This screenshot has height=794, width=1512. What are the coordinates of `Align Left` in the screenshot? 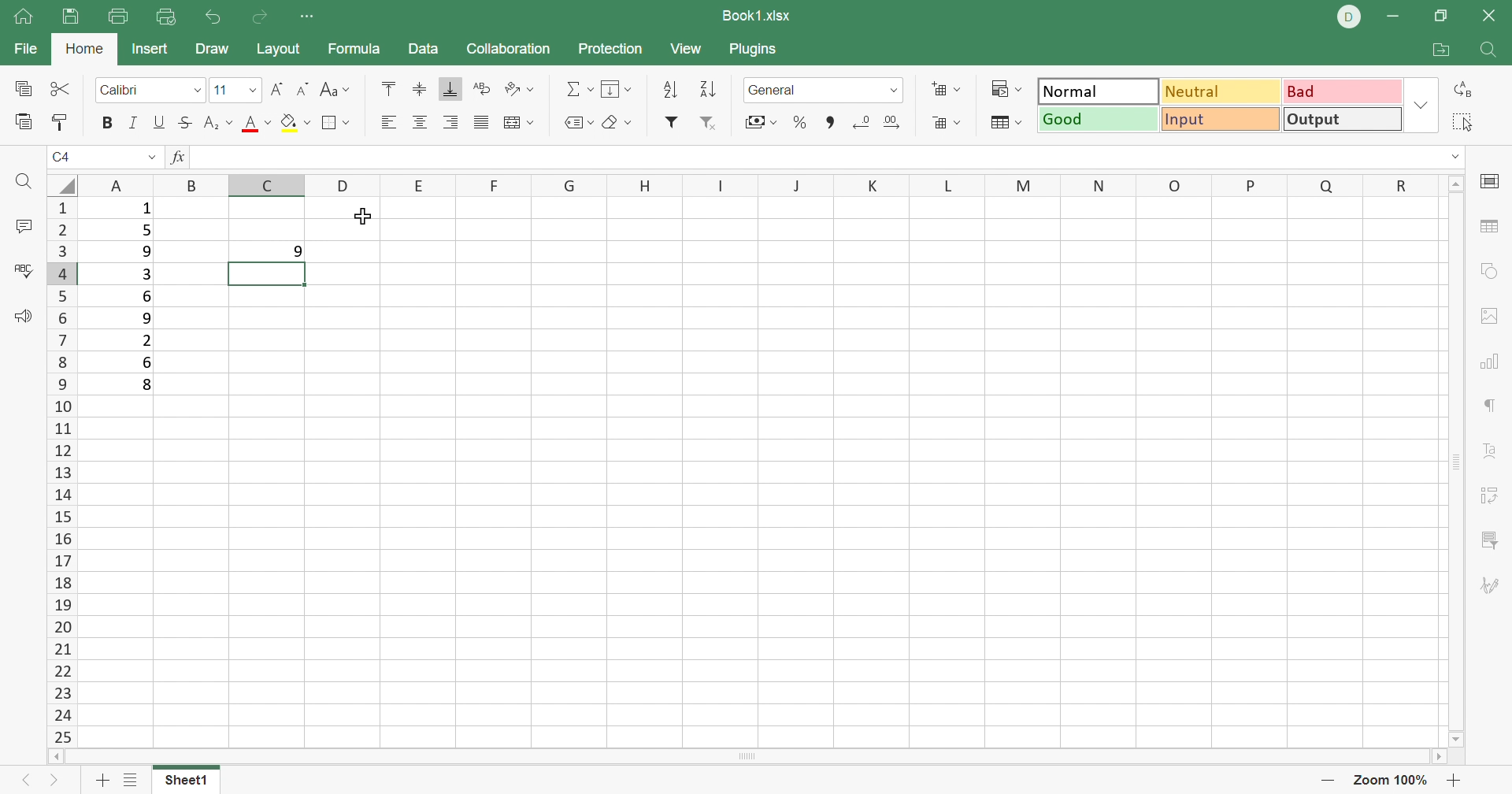 It's located at (388, 122).